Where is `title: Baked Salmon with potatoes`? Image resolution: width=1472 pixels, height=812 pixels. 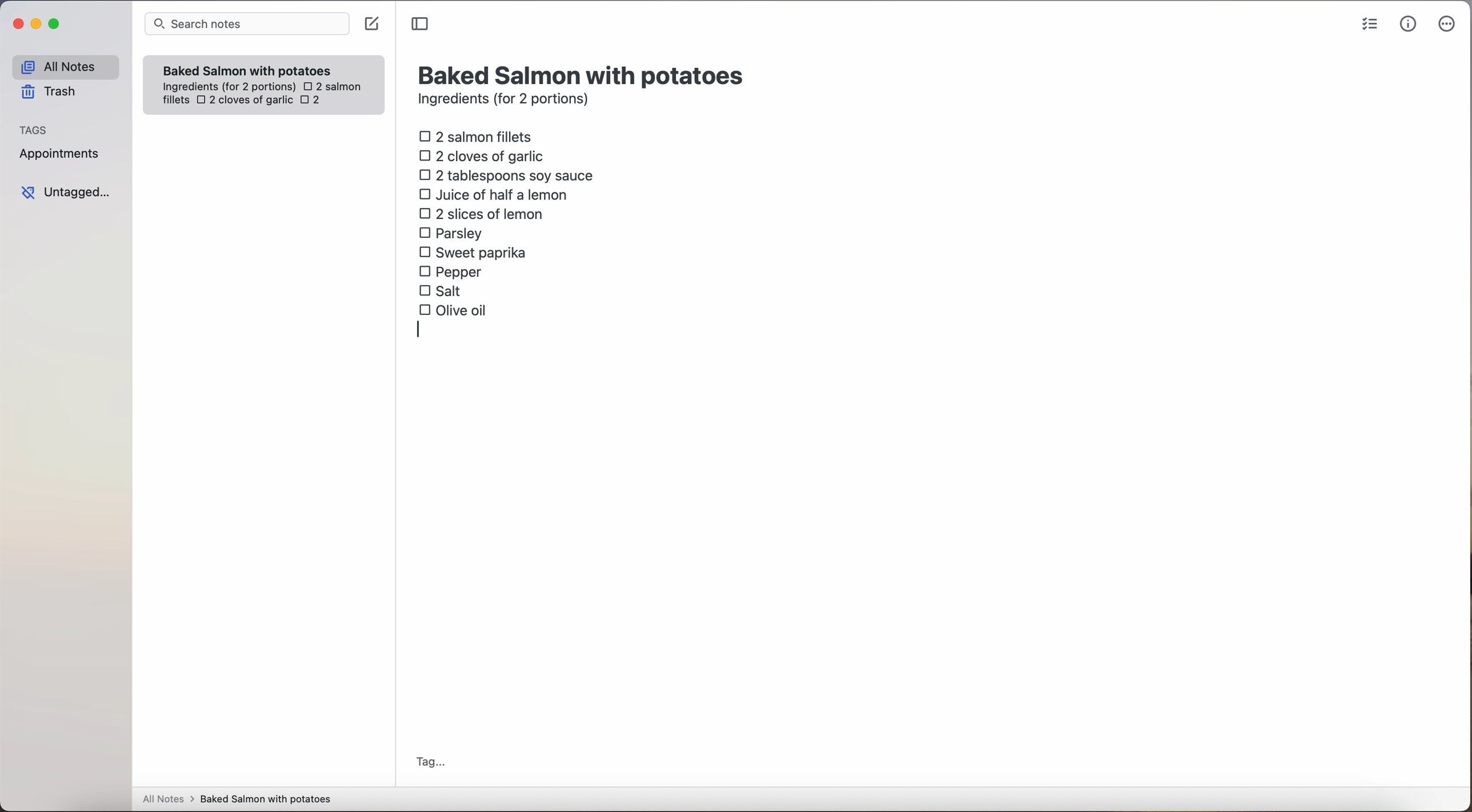
title: Baked Salmon with potatoes is located at coordinates (583, 74).